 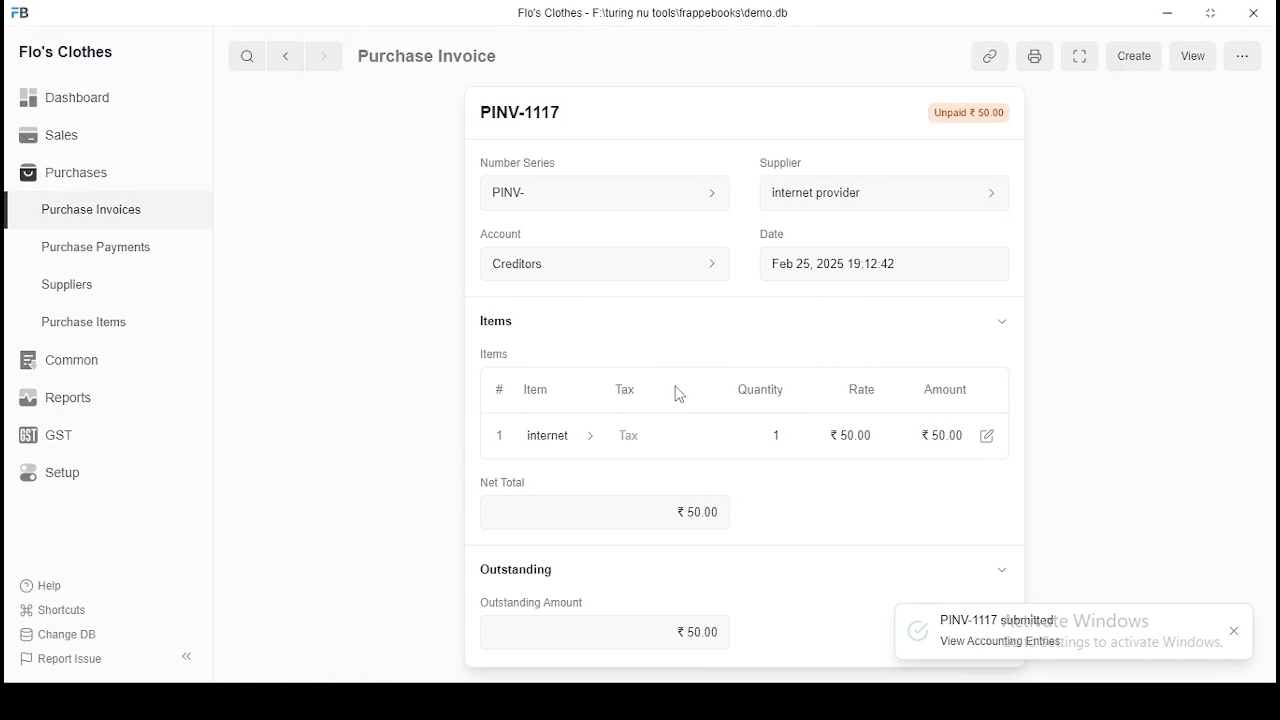 What do you see at coordinates (46, 583) in the screenshot?
I see `help` at bounding box center [46, 583].